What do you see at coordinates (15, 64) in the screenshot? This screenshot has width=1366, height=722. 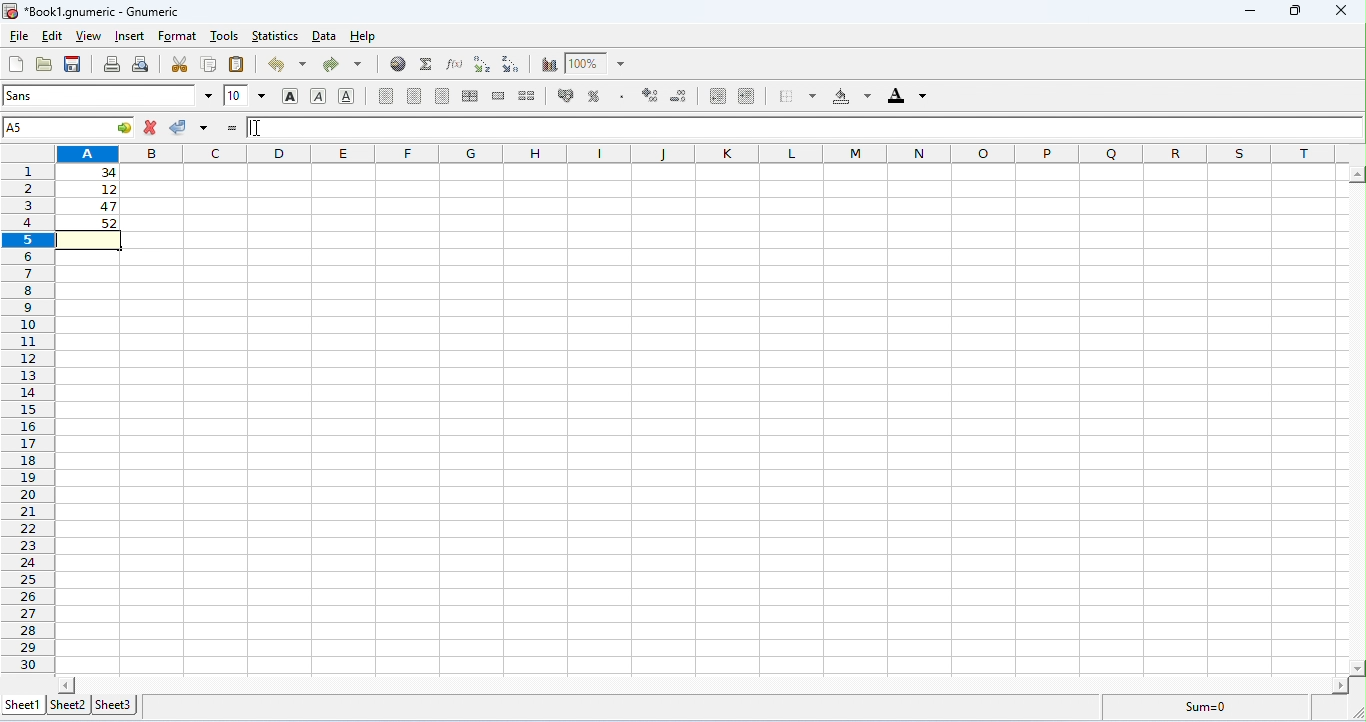 I see `new` at bounding box center [15, 64].